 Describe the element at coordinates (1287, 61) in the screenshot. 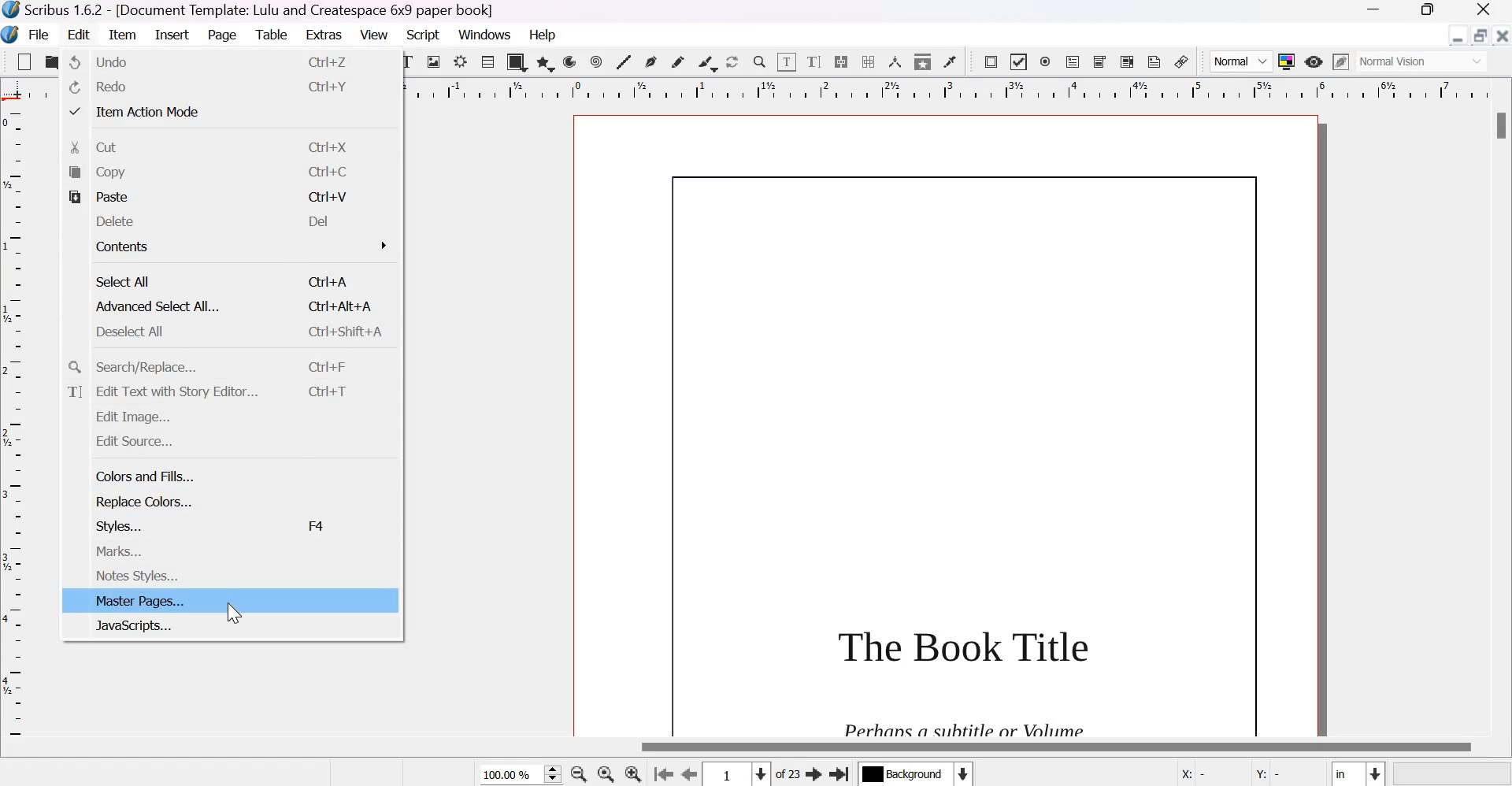

I see `Toggle color management system` at that location.